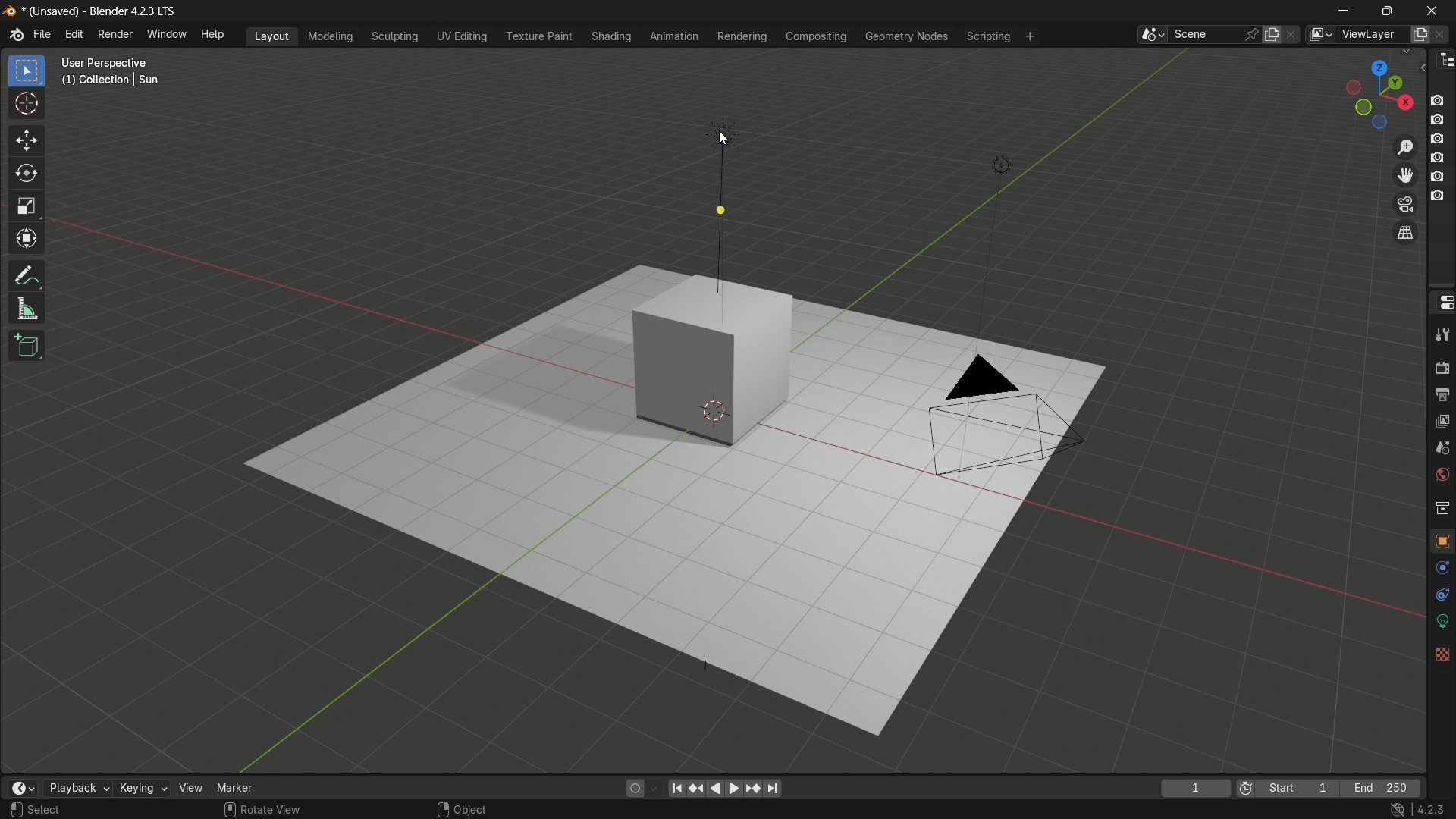  Describe the element at coordinates (27, 107) in the screenshot. I see `cursor` at that location.